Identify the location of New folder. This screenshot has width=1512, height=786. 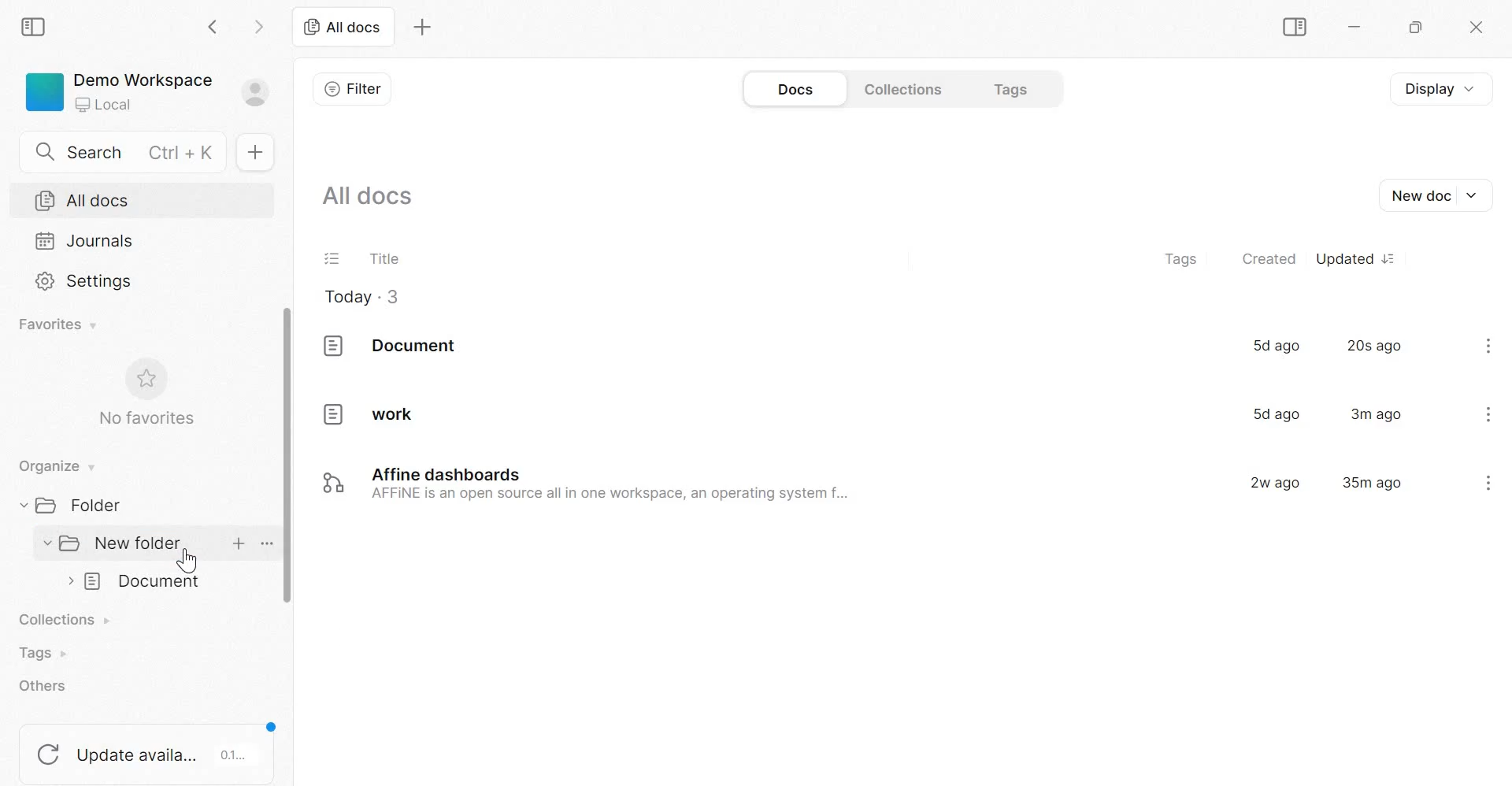
(120, 543).